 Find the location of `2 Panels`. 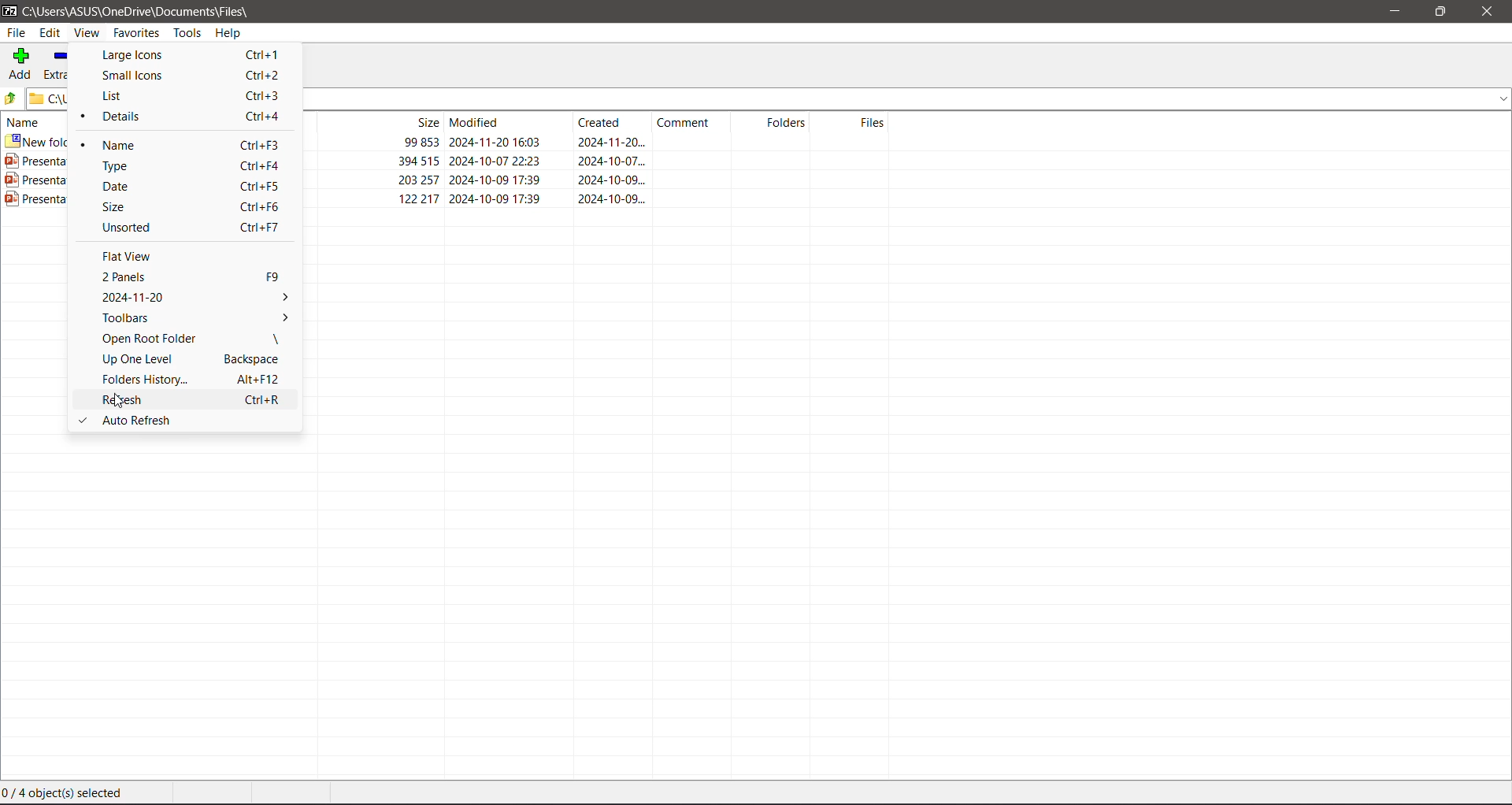

2 Panels is located at coordinates (148, 277).